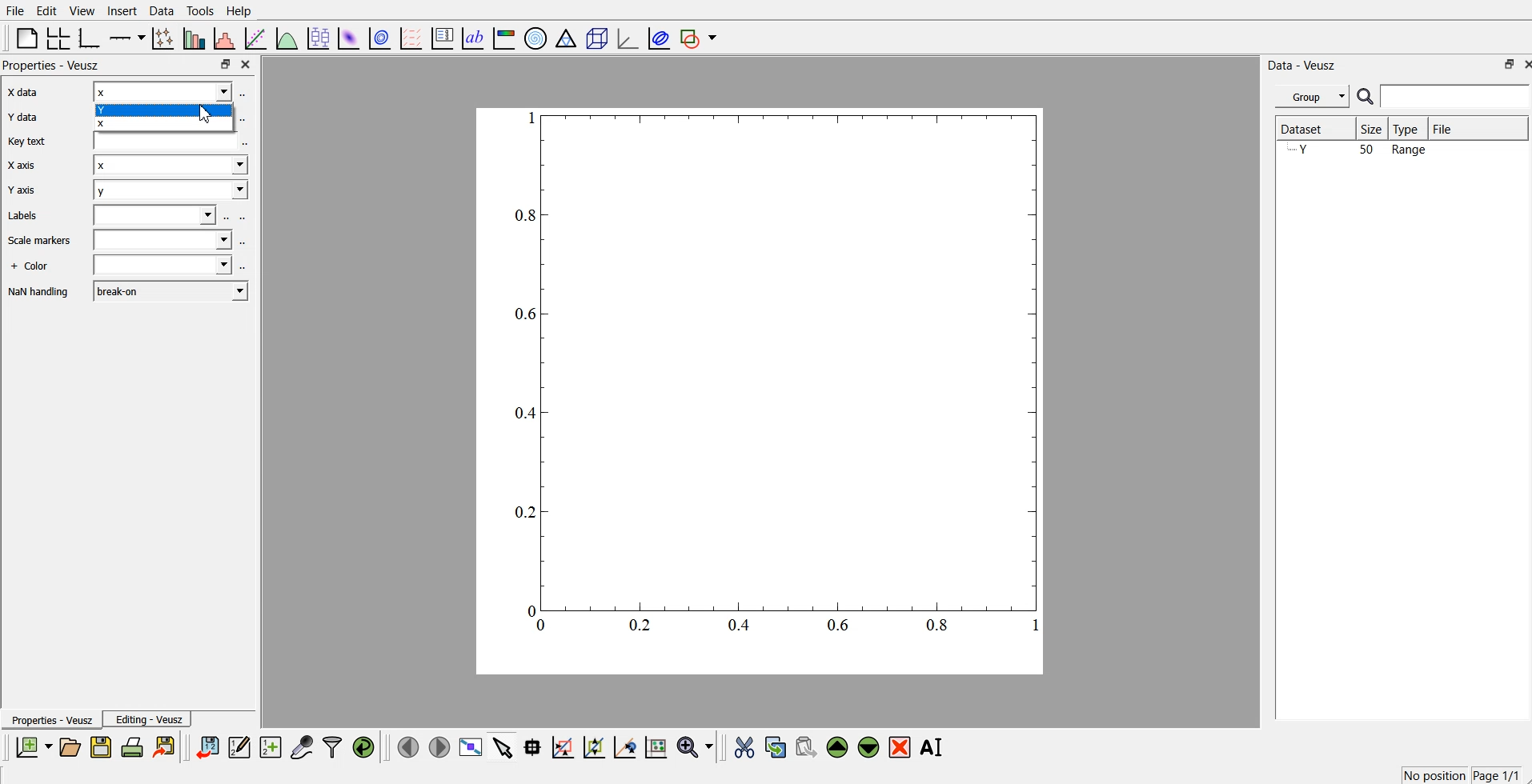 The height and width of the screenshot is (784, 1532). Describe the element at coordinates (163, 93) in the screenshot. I see `x` at that location.